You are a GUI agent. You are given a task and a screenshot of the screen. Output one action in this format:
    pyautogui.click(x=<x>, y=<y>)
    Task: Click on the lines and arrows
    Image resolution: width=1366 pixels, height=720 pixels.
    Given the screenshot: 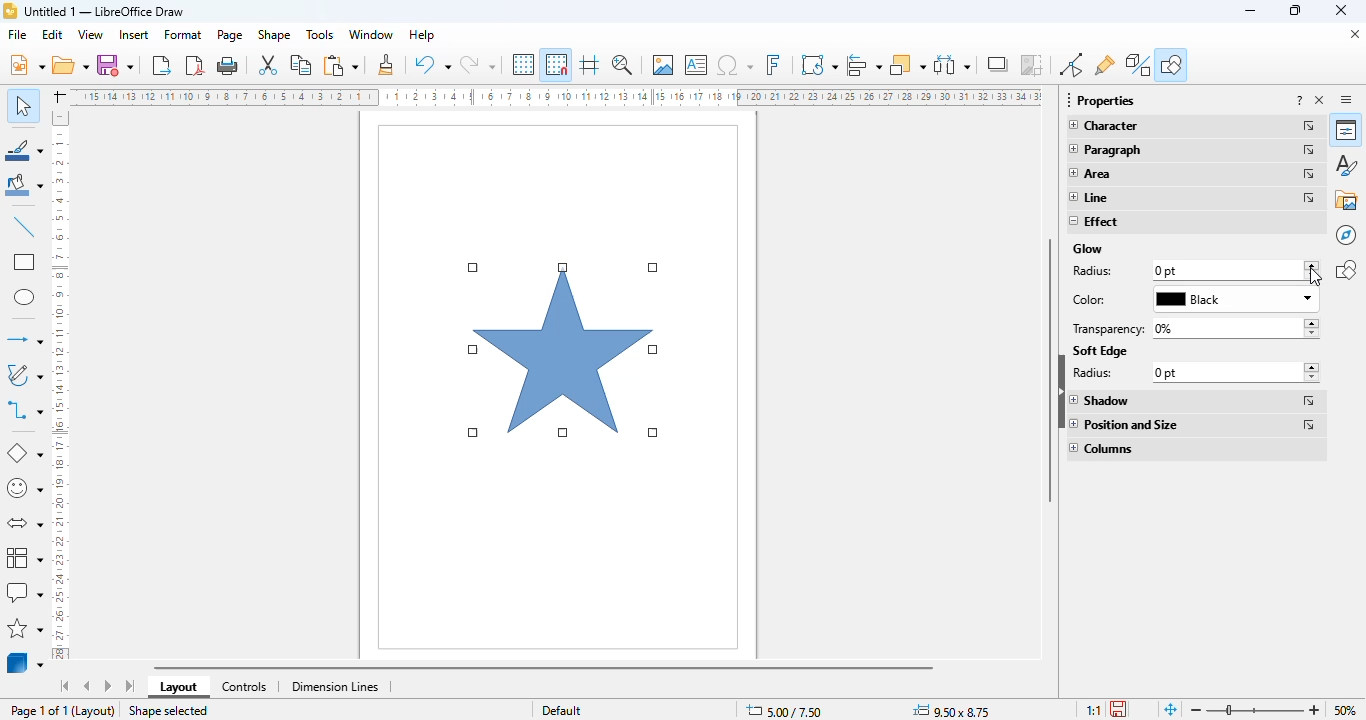 What is the action you would take?
    pyautogui.click(x=24, y=340)
    